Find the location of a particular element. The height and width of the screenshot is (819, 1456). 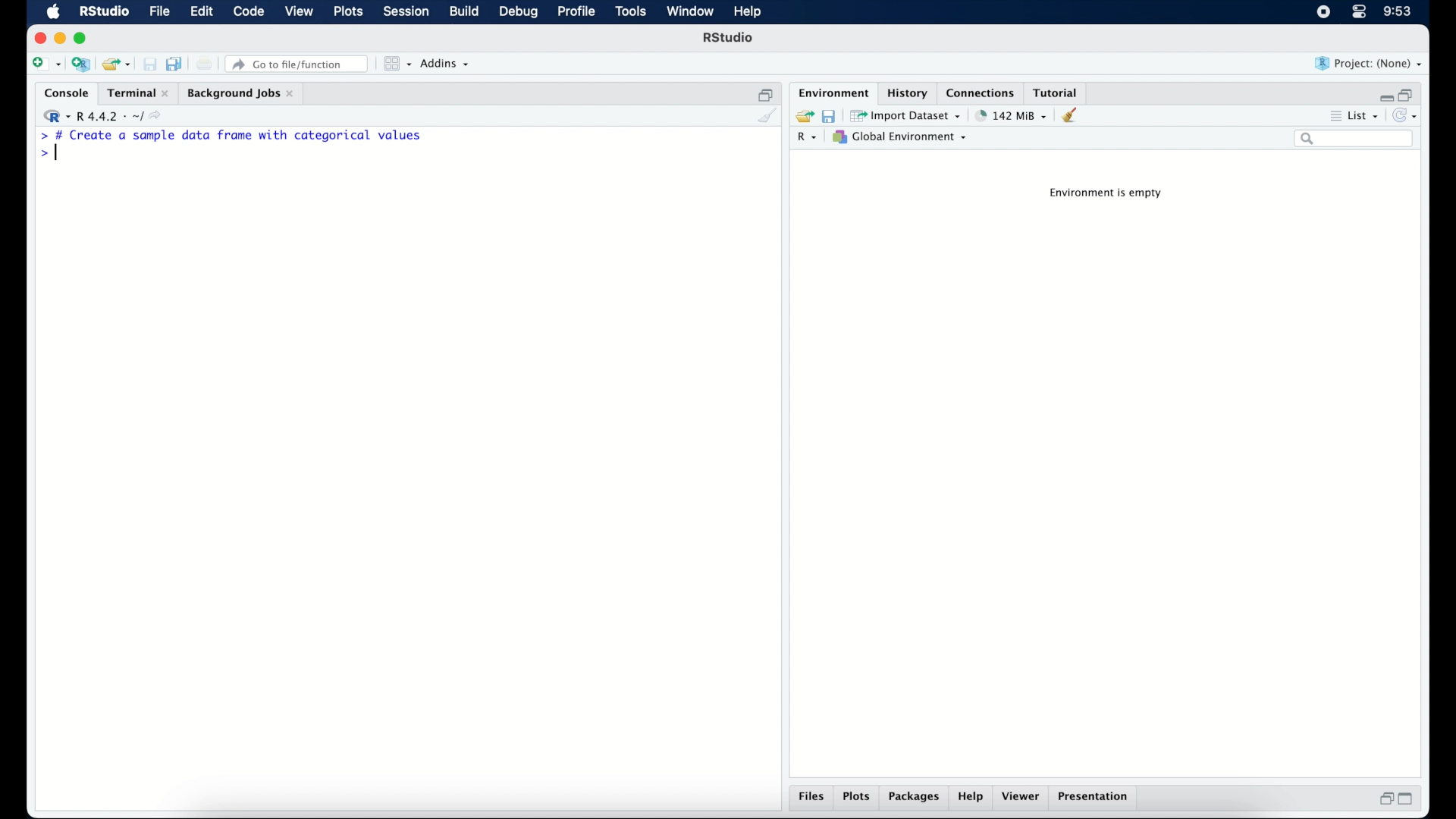

search bar is located at coordinates (1355, 140).